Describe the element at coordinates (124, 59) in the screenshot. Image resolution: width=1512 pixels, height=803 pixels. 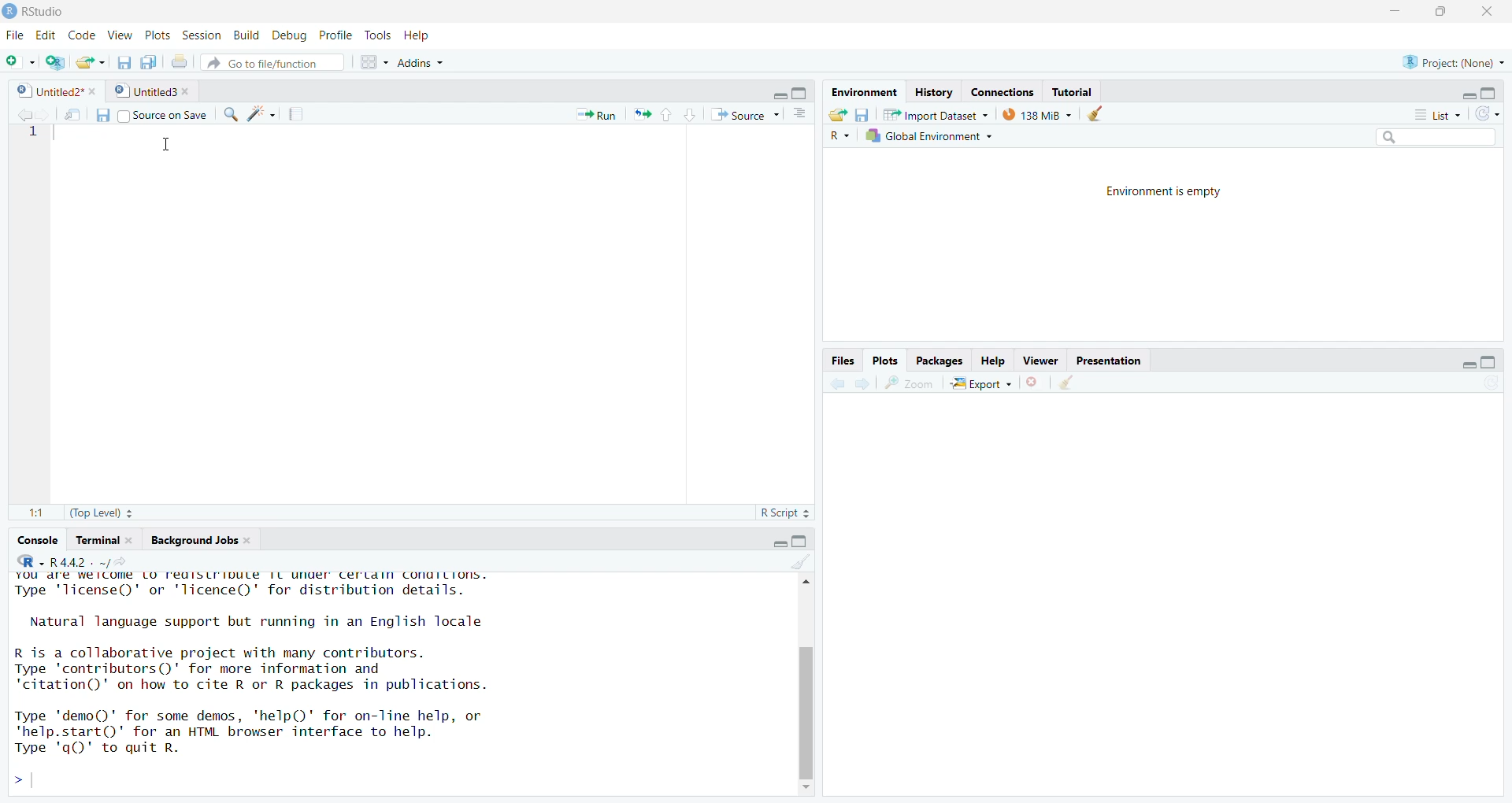
I see `save all documents` at that location.